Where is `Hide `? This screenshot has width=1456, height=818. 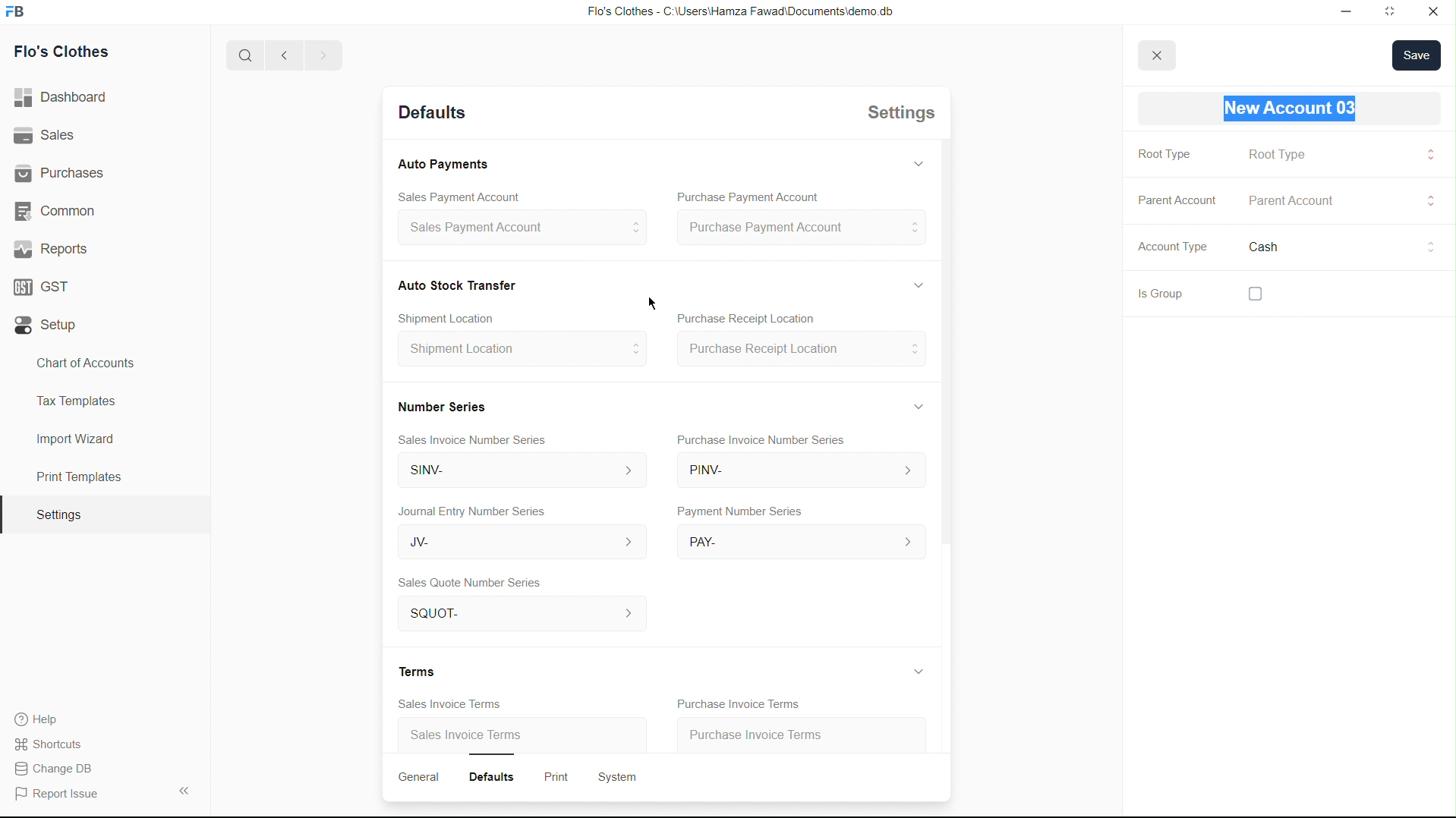
Hide  is located at coordinates (917, 162).